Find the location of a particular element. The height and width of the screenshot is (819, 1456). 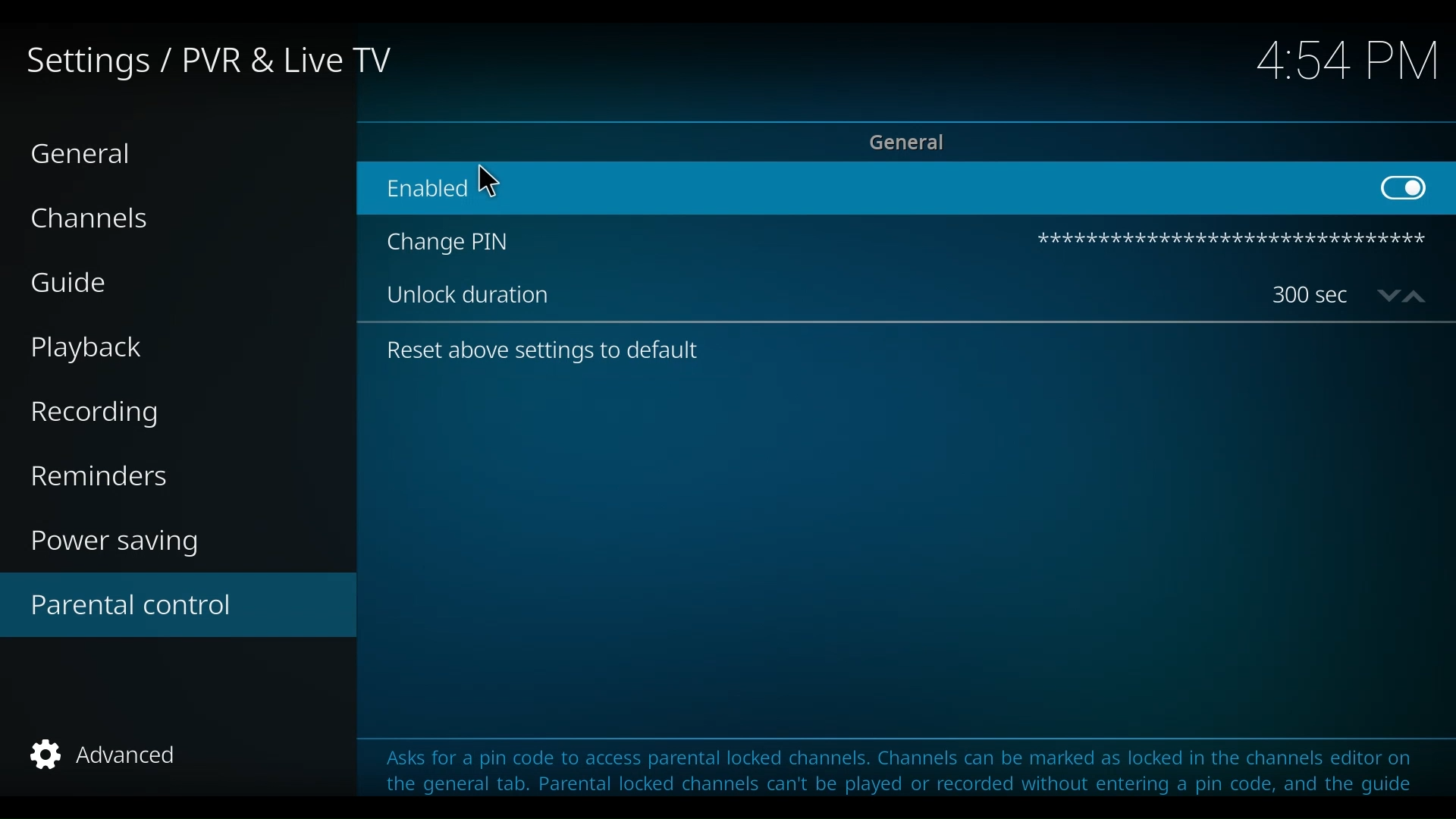

Playback is located at coordinates (88, 348).